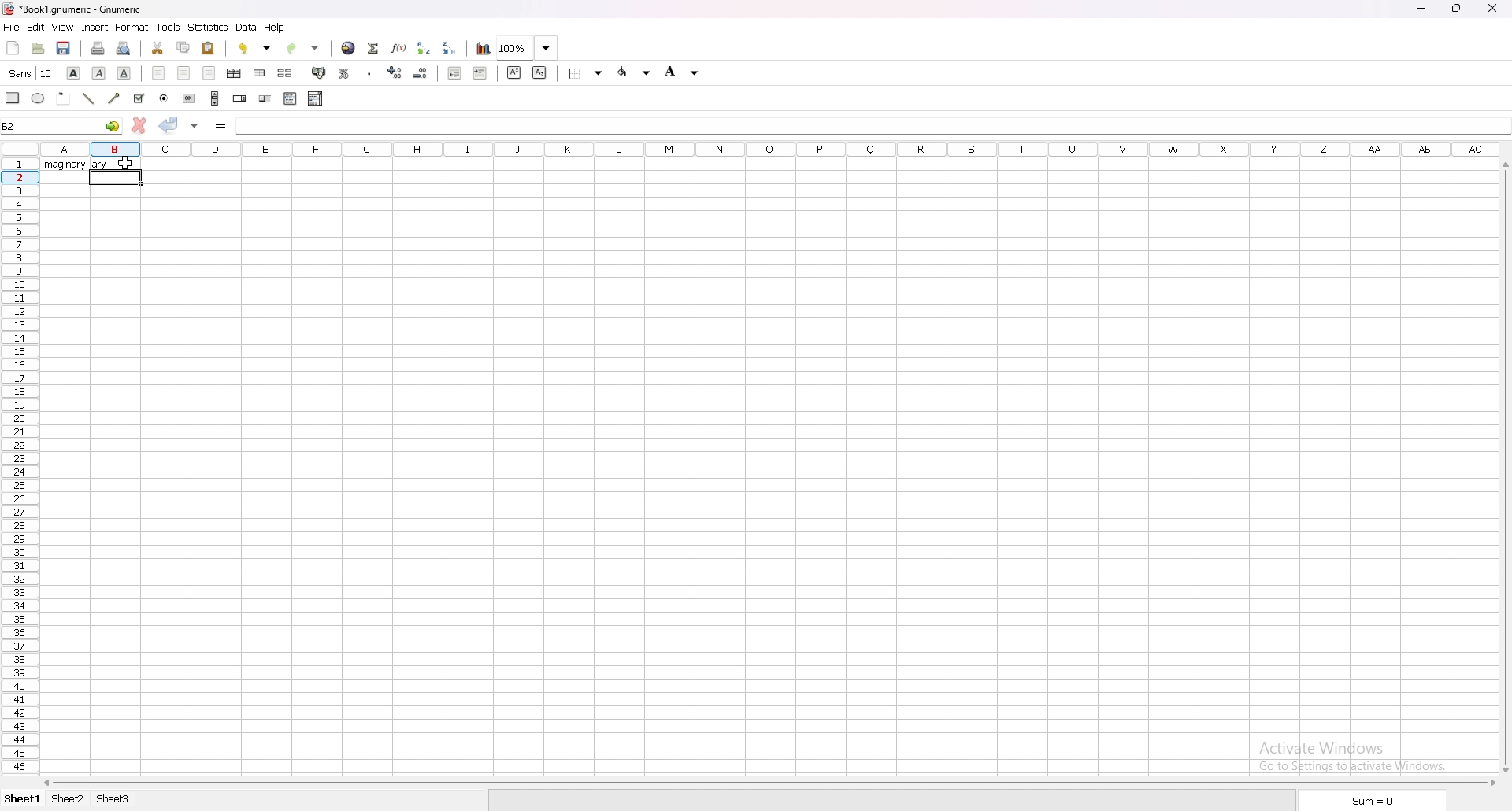 The height and width of the screenshot is (811, 1512). What do you see at coordinates (188, 98) in the screenshot?
I see `button` at bounding box center [188, 98].